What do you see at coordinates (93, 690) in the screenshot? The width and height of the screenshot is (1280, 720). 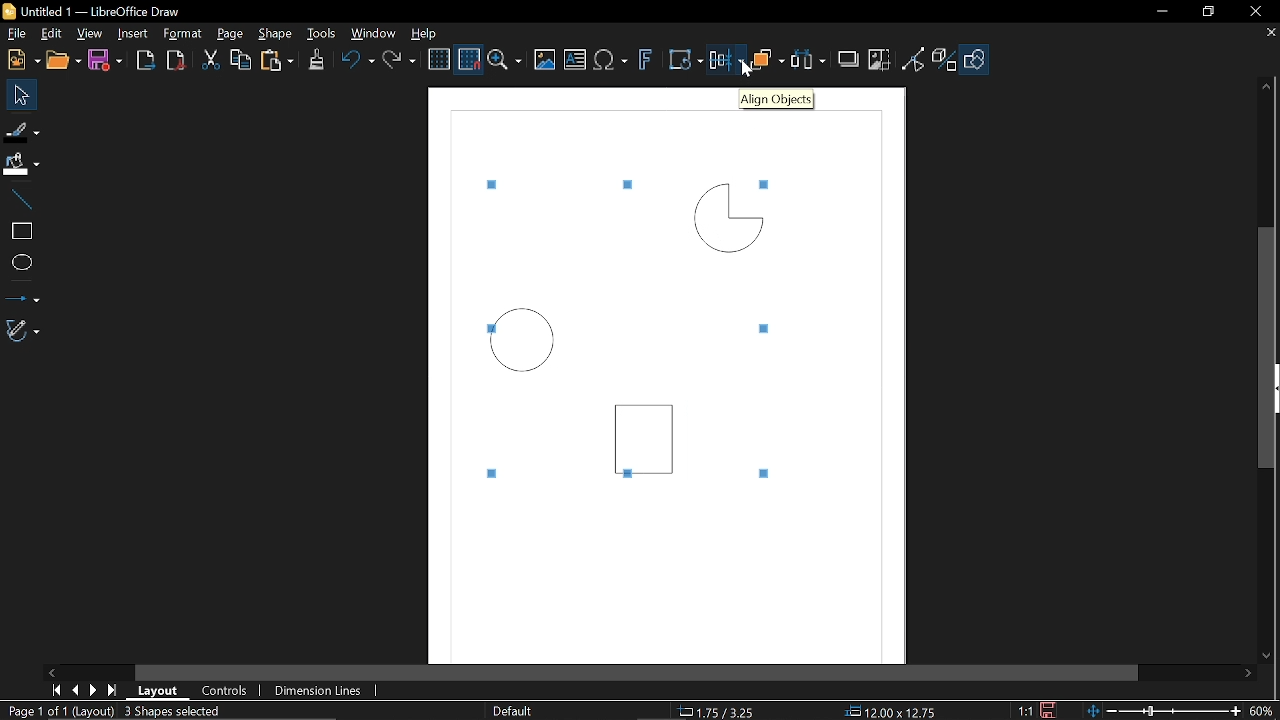 I see `Next page` at bounding box center [93, 690].